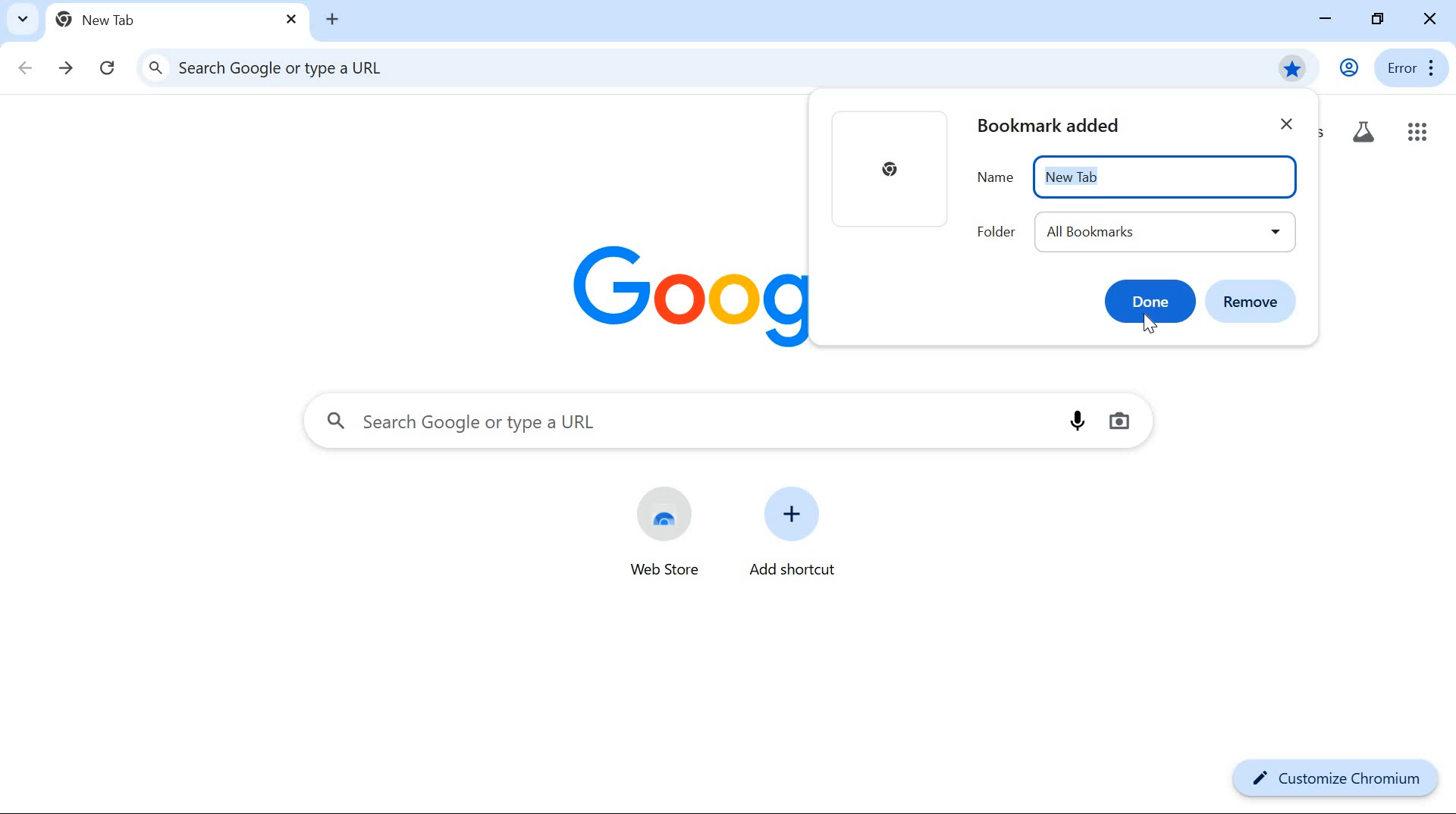  What do you see at coordinates (889, 169) in the screenshot?
I see `thumbnail` at bounding box center [889, 169].